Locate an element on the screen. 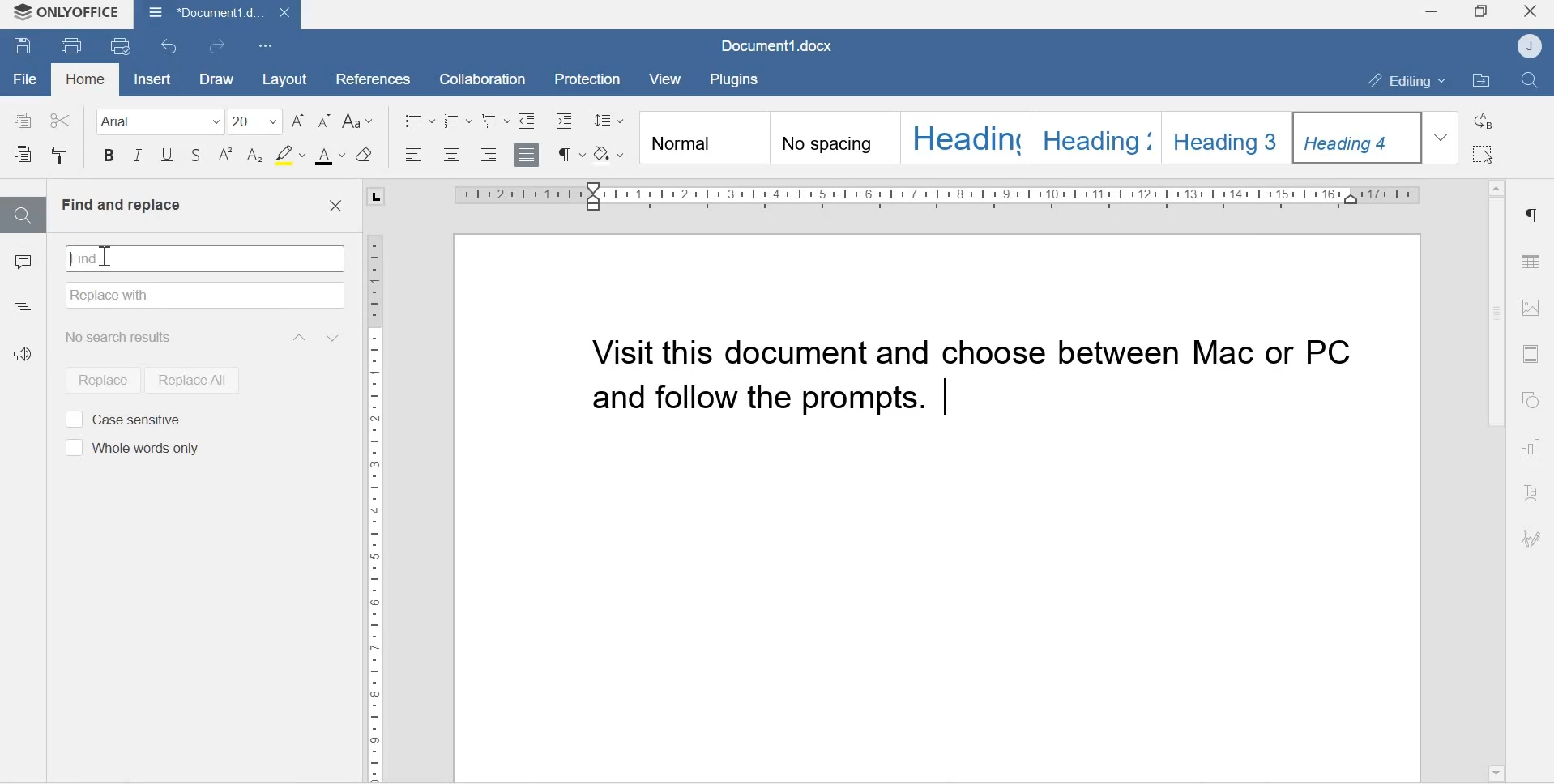 This screenshot has width=1554, height=784. Case sensitive is located at coordinates (122, 418).